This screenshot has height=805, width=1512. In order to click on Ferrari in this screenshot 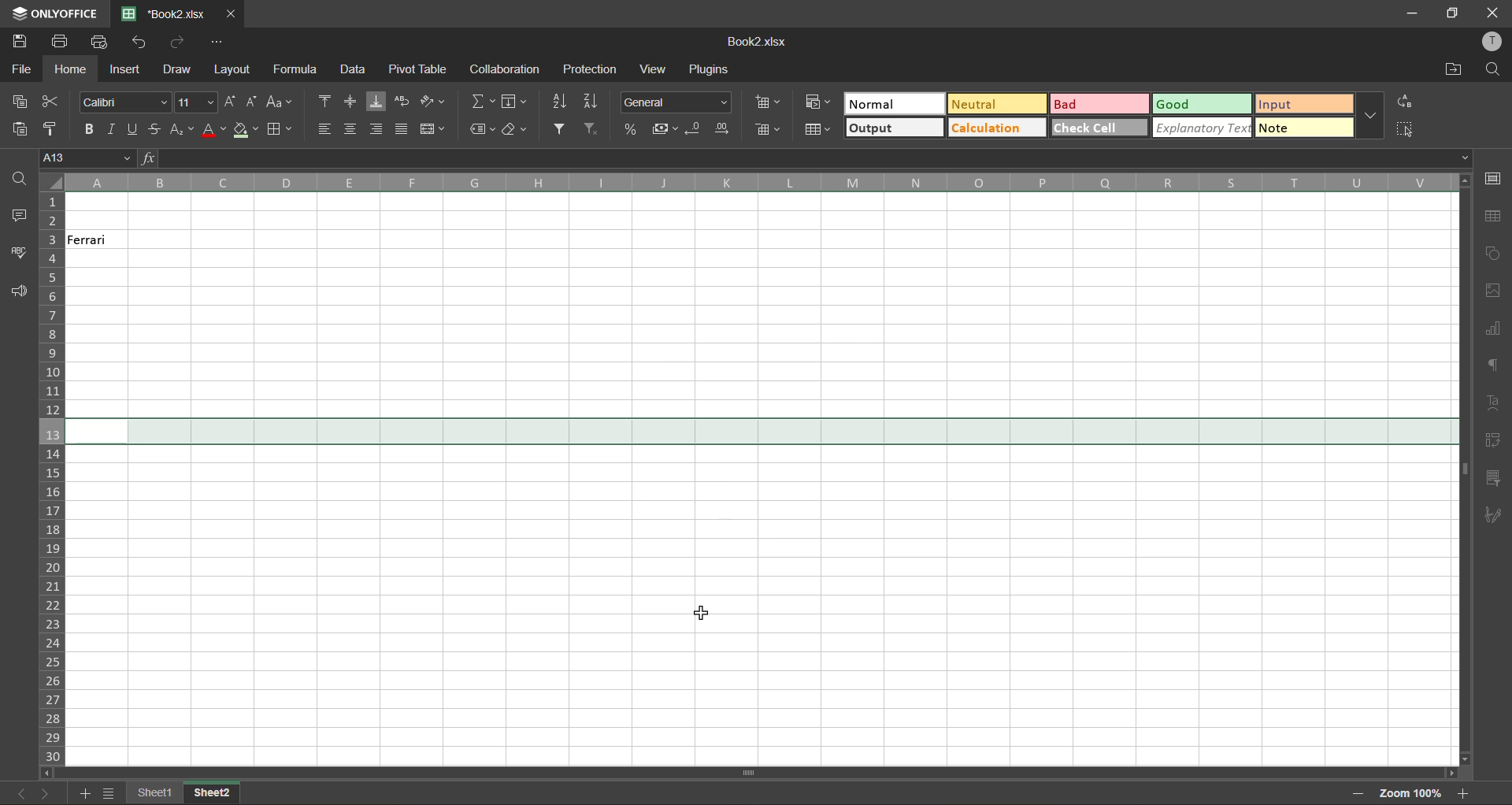, I will do `click(99, 240)`.